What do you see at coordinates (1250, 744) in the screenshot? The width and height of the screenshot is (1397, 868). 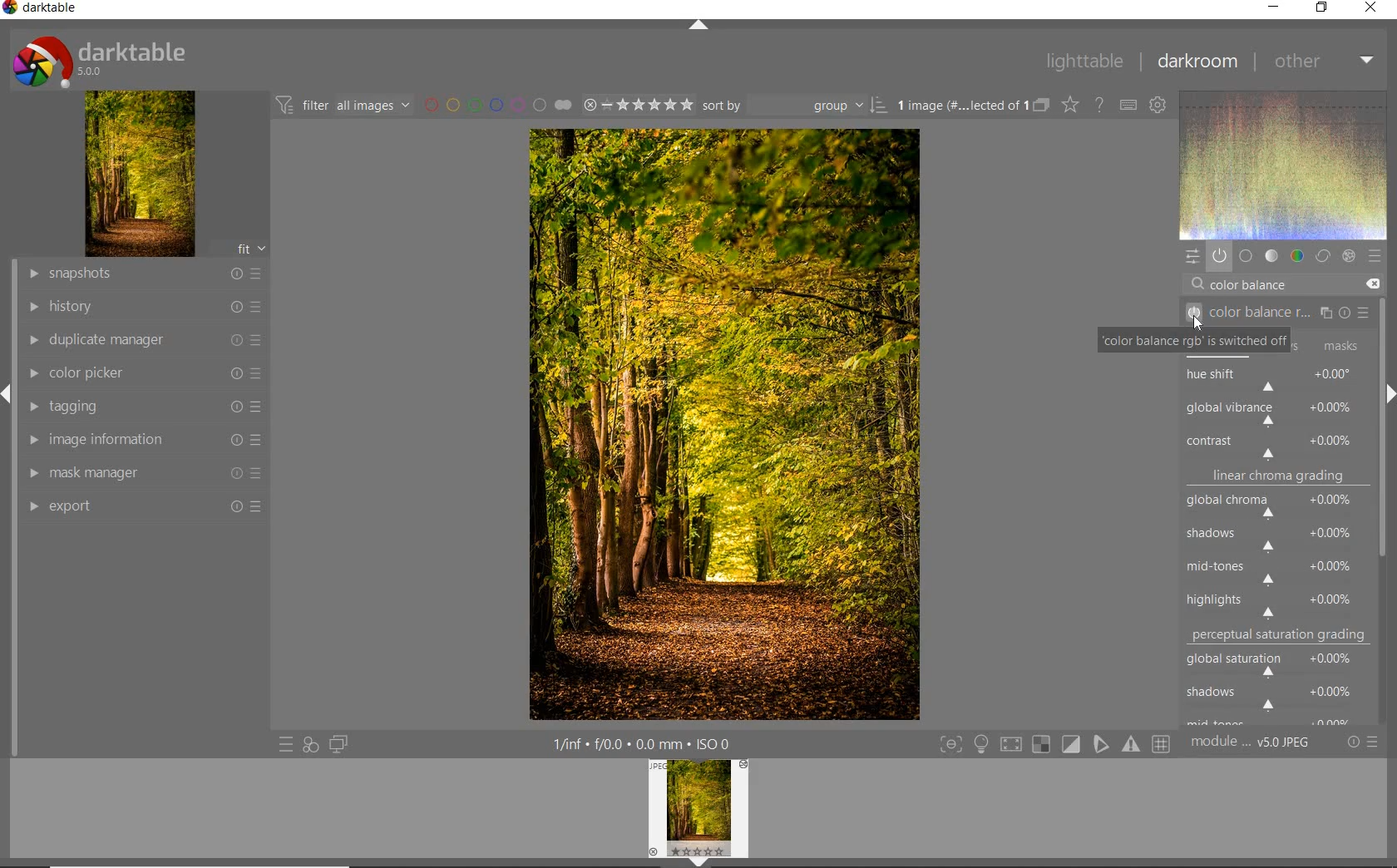 I see `module order` at bounding box center [1250, 744].